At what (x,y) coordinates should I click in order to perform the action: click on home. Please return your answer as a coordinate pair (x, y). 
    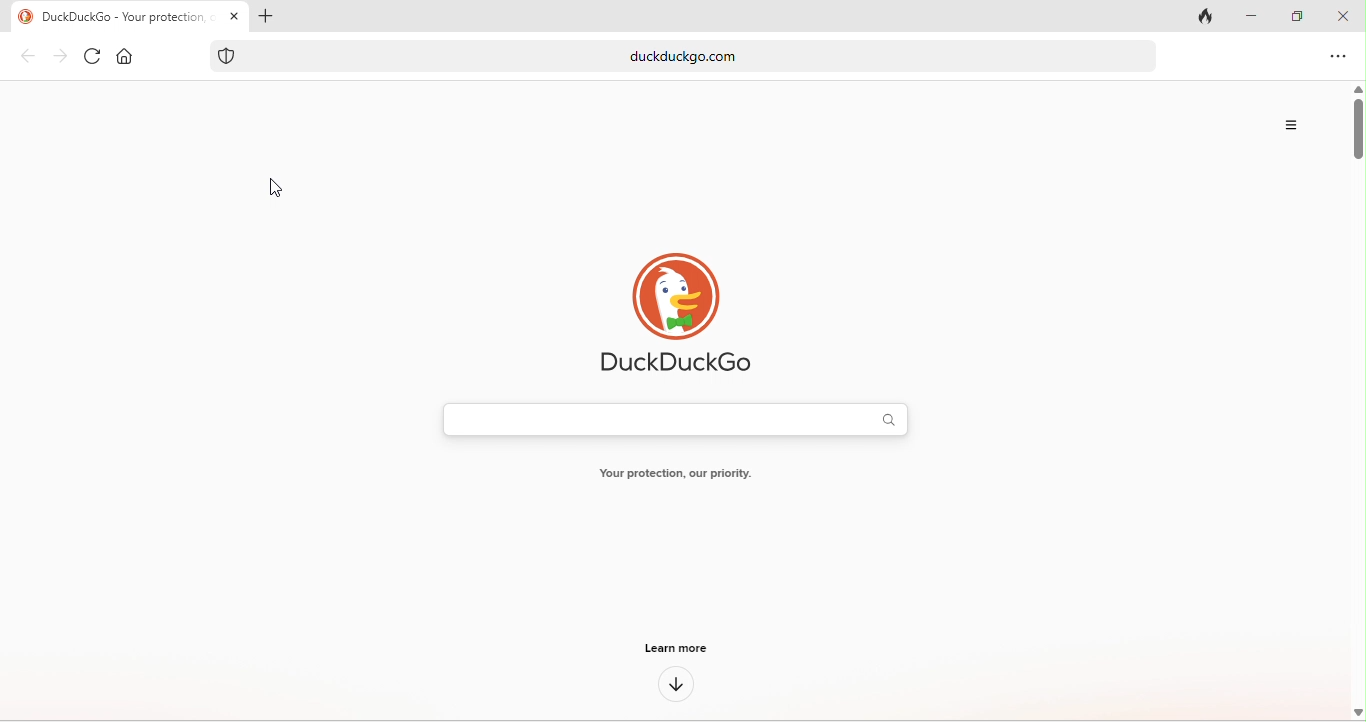
    Looking at the image, I should click on (129, 58).